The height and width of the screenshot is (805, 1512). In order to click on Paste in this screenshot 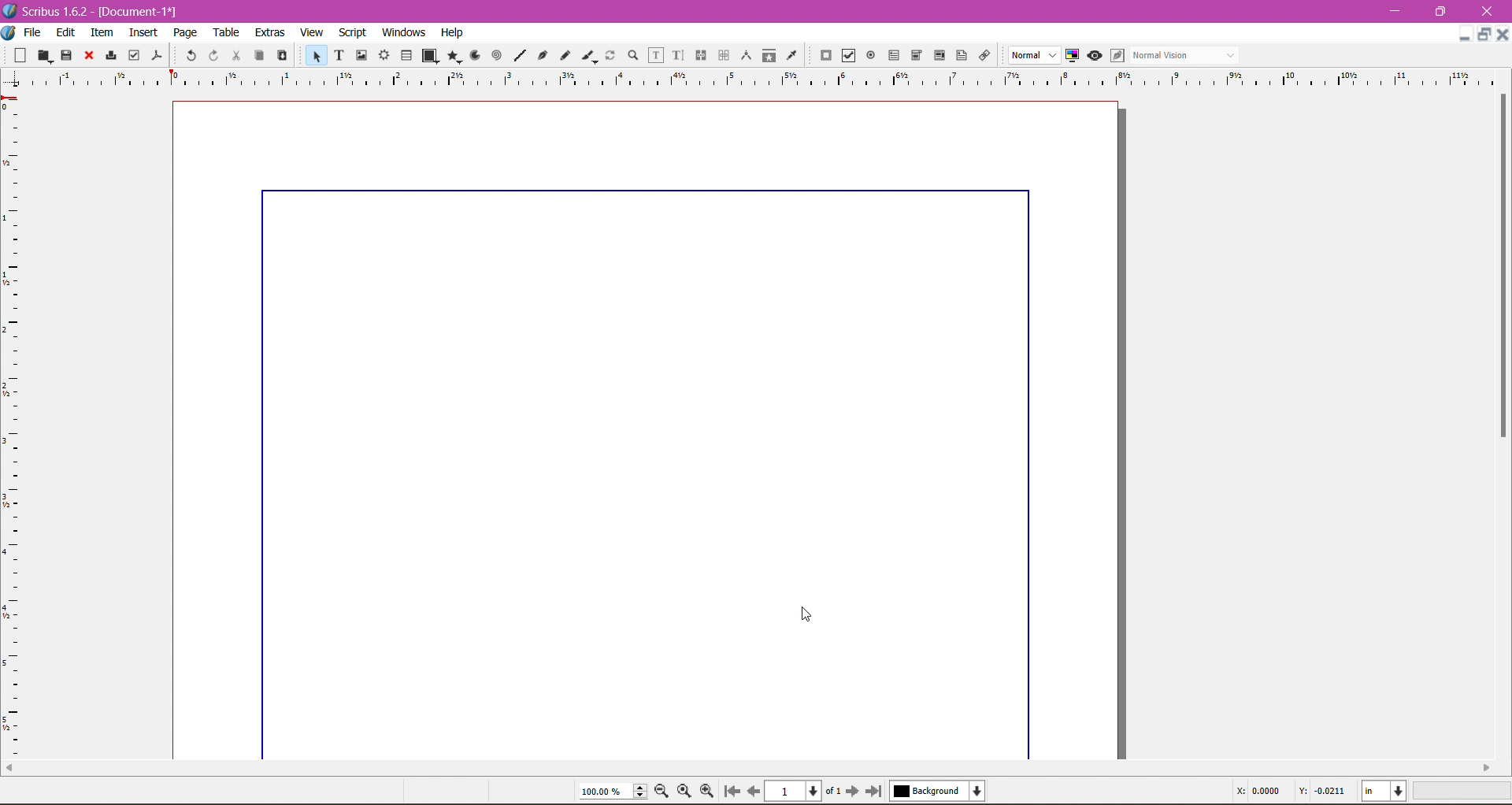, I will do `click(282, 56)`.